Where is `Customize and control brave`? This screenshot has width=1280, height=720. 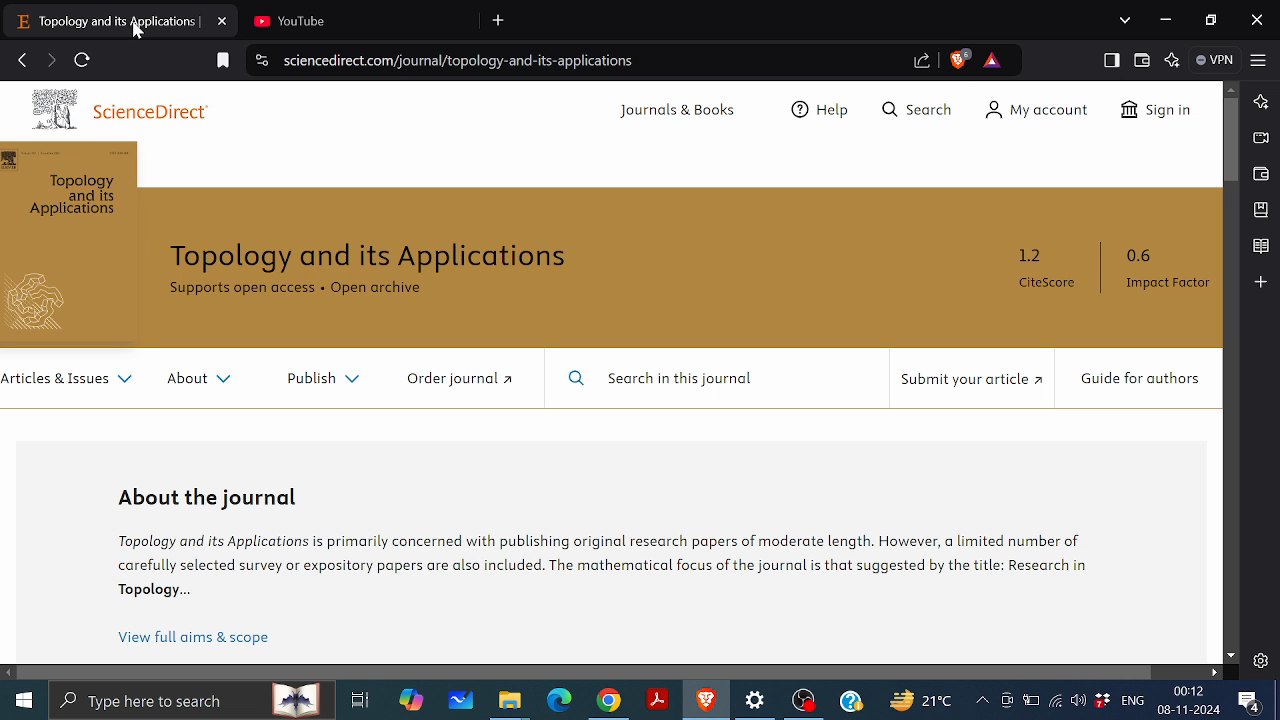
Customize and control brave is located at coordinates (1259, 59).